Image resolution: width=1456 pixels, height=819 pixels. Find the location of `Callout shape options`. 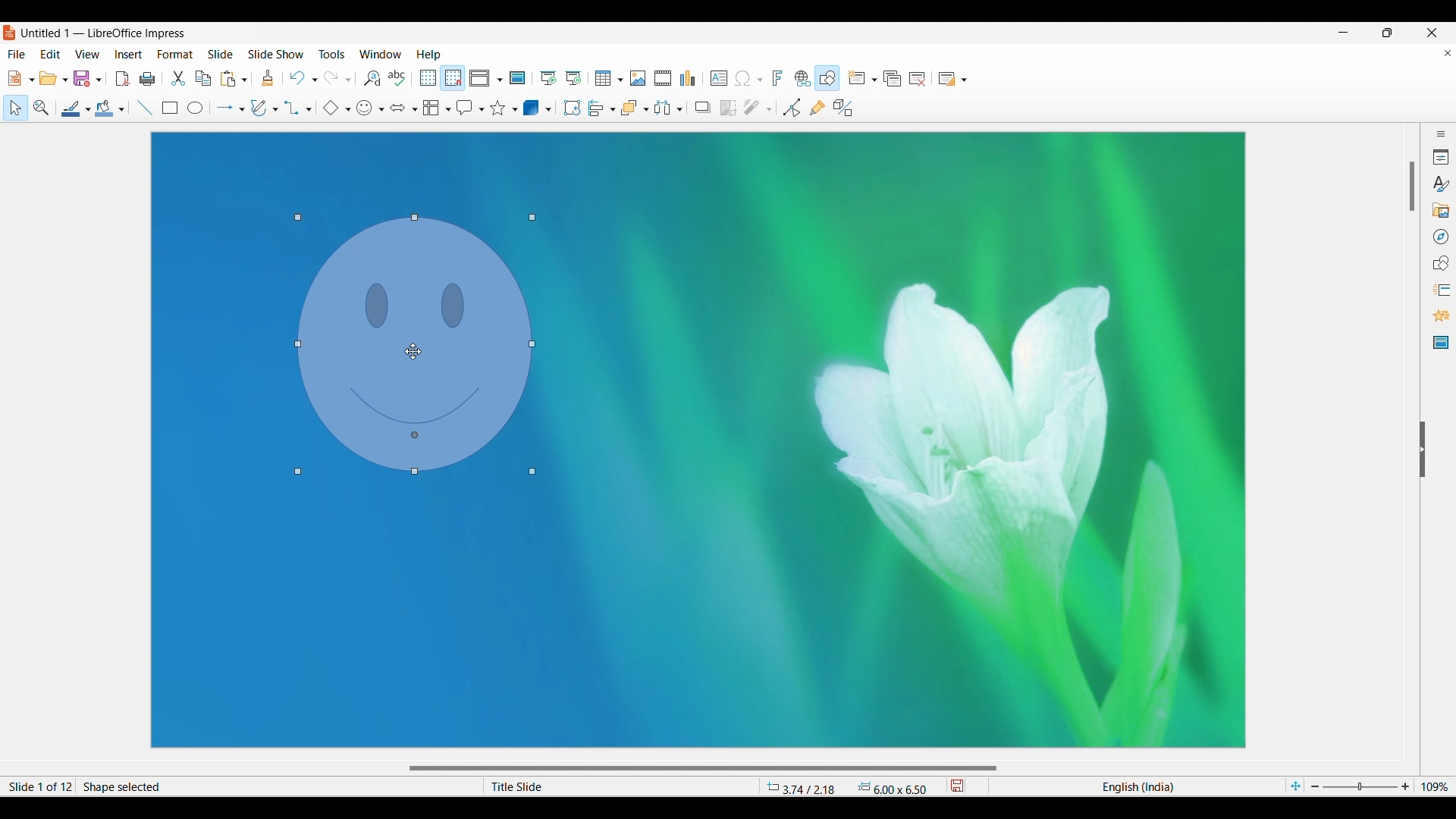

Callout shape options is located at coordinates (482, 110).